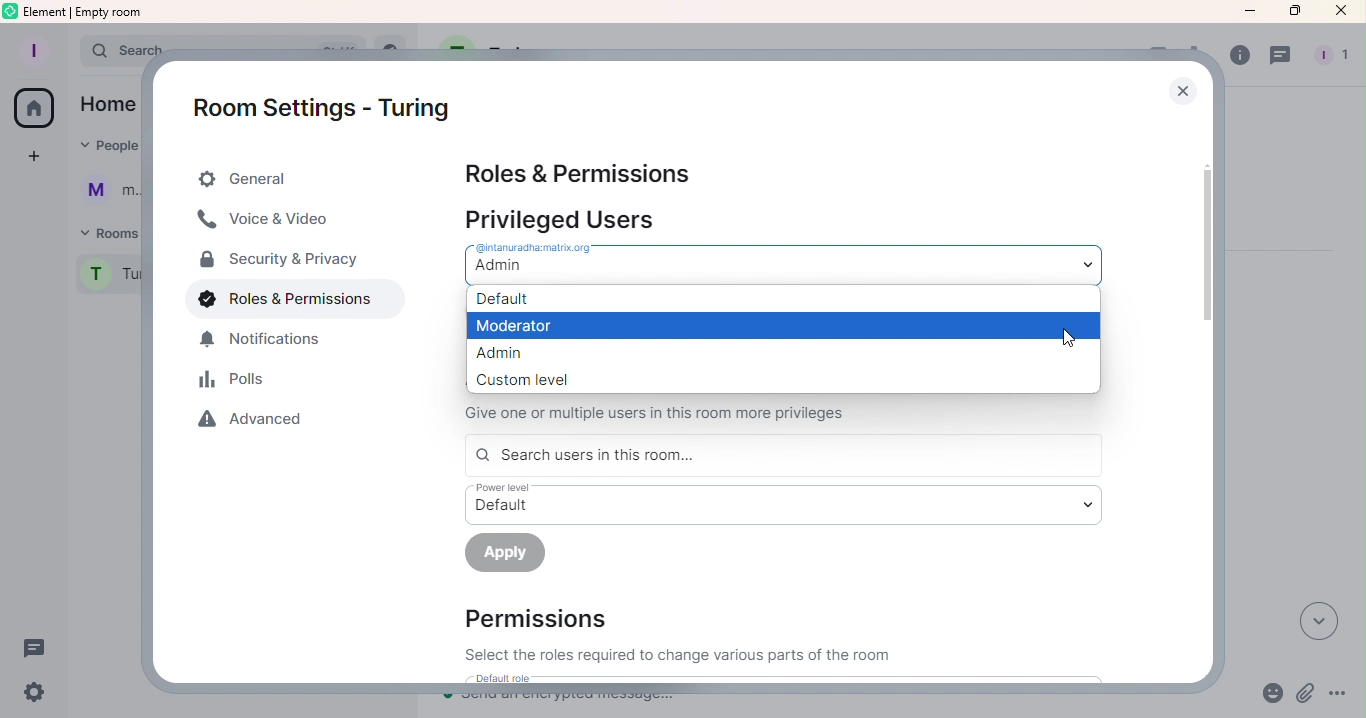  Describe the element at coordinates (674, 635) in the screenshot. I see `Permissions` at that location.